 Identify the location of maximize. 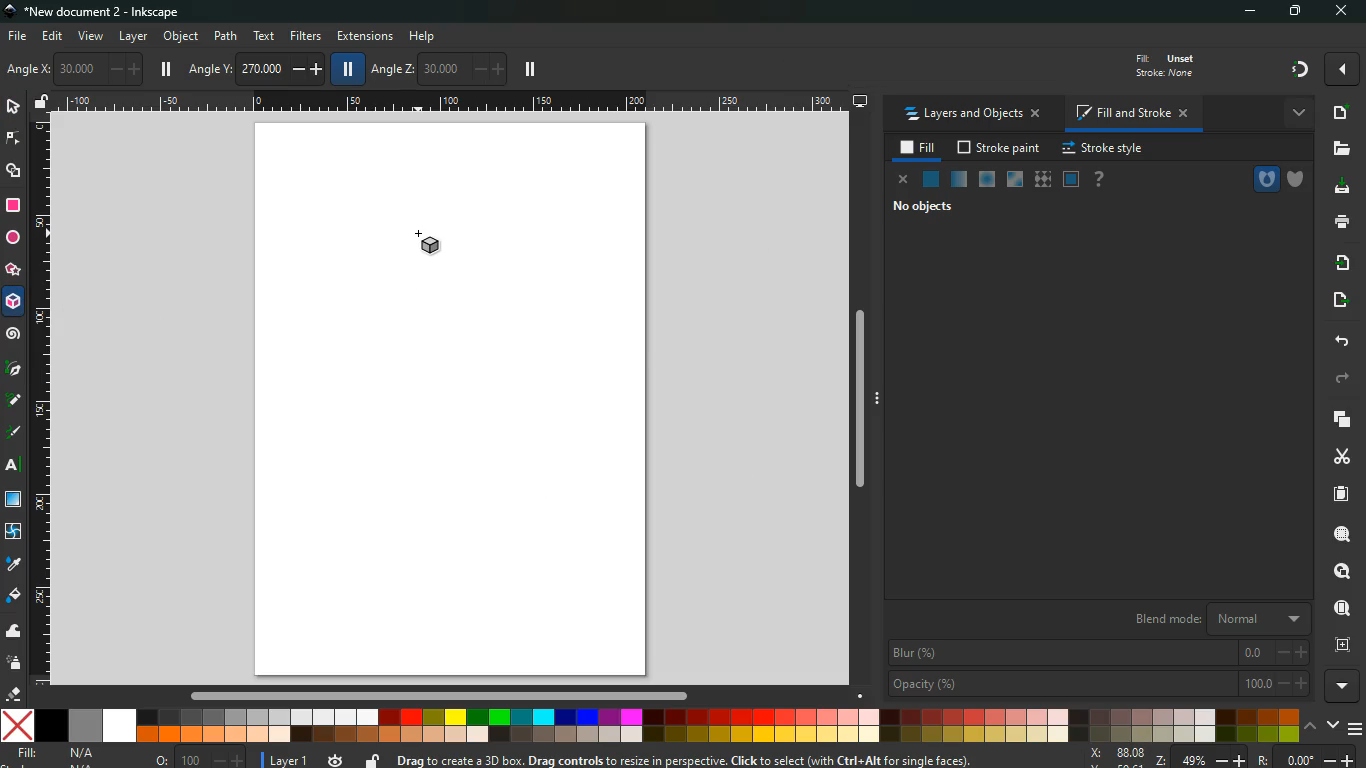
(1298, 12).